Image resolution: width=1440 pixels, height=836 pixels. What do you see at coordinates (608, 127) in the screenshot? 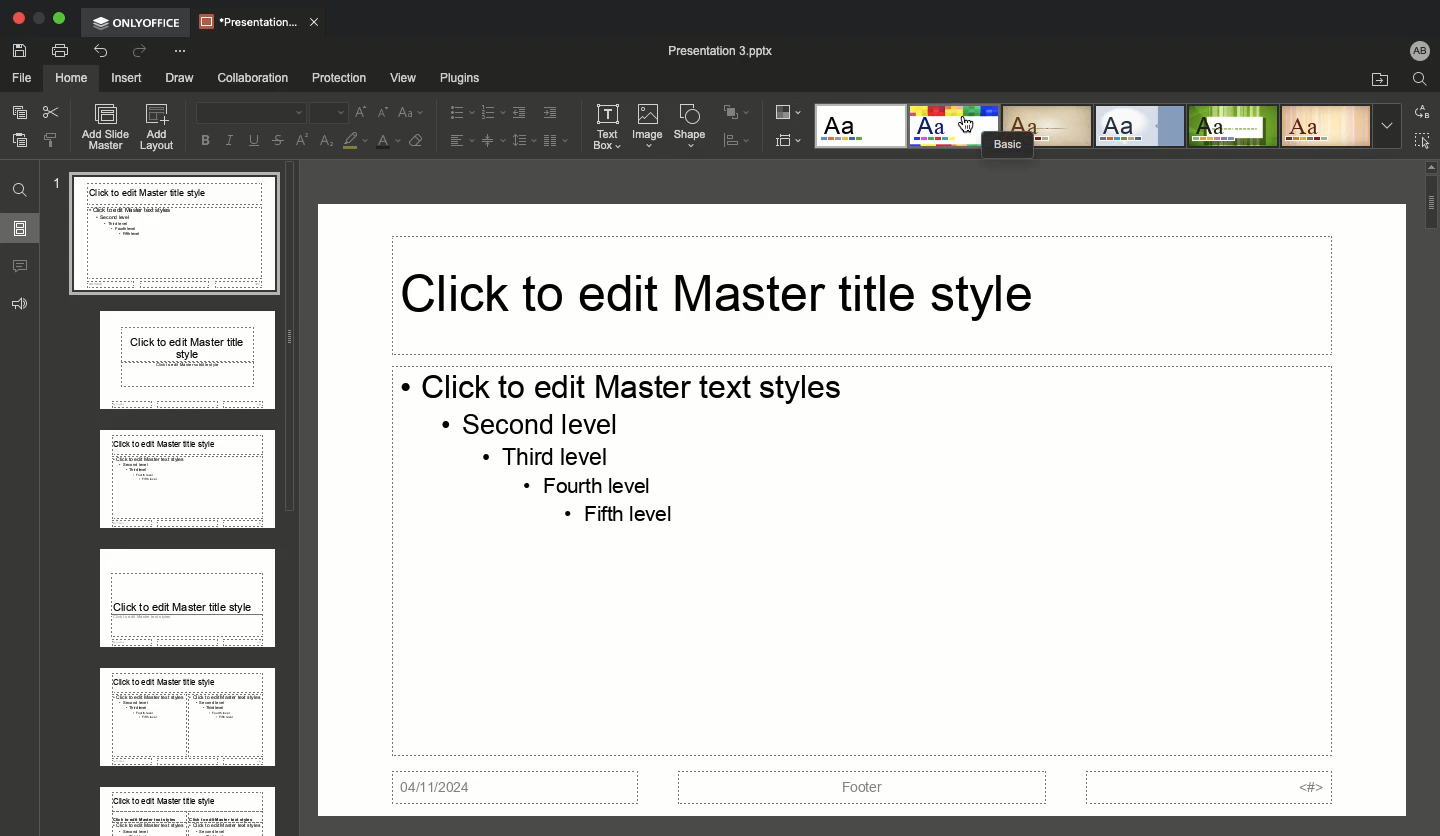
I see `Text box` at bounding box center [608, 127].